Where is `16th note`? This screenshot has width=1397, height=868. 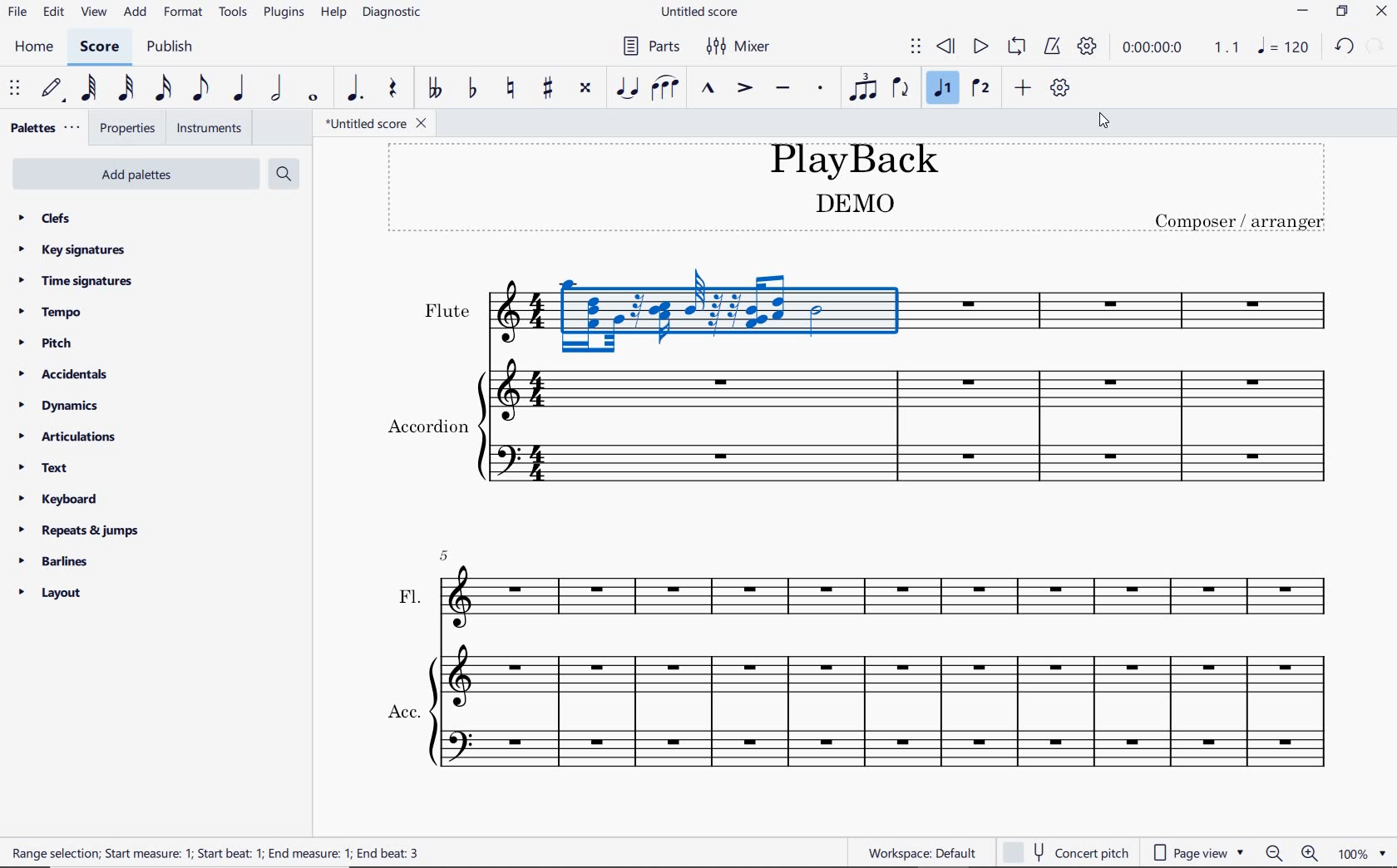
16th note is located at coordinates (164, 91).